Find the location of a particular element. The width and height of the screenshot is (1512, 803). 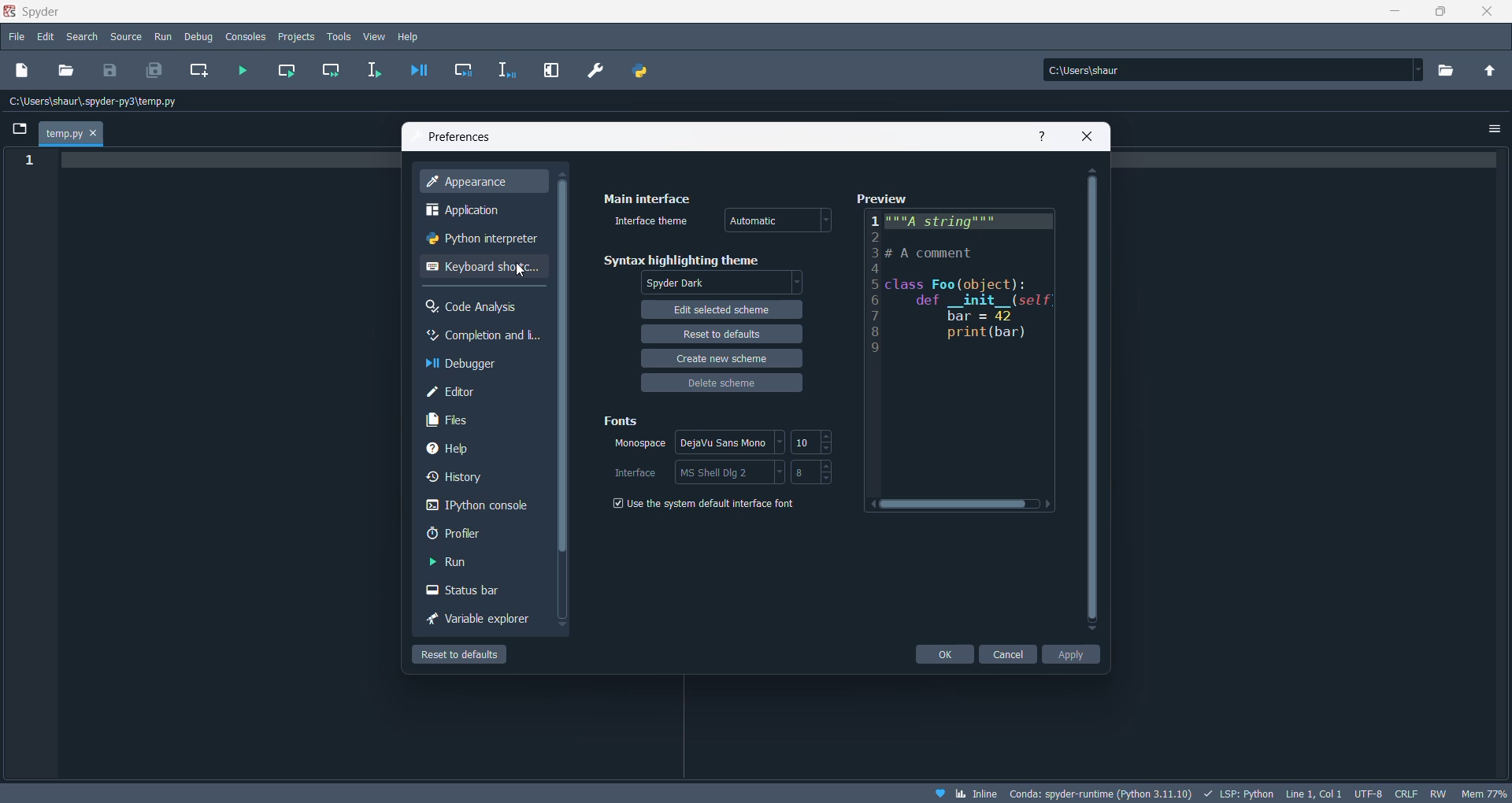

monospace is located at coordinates (630, 447).